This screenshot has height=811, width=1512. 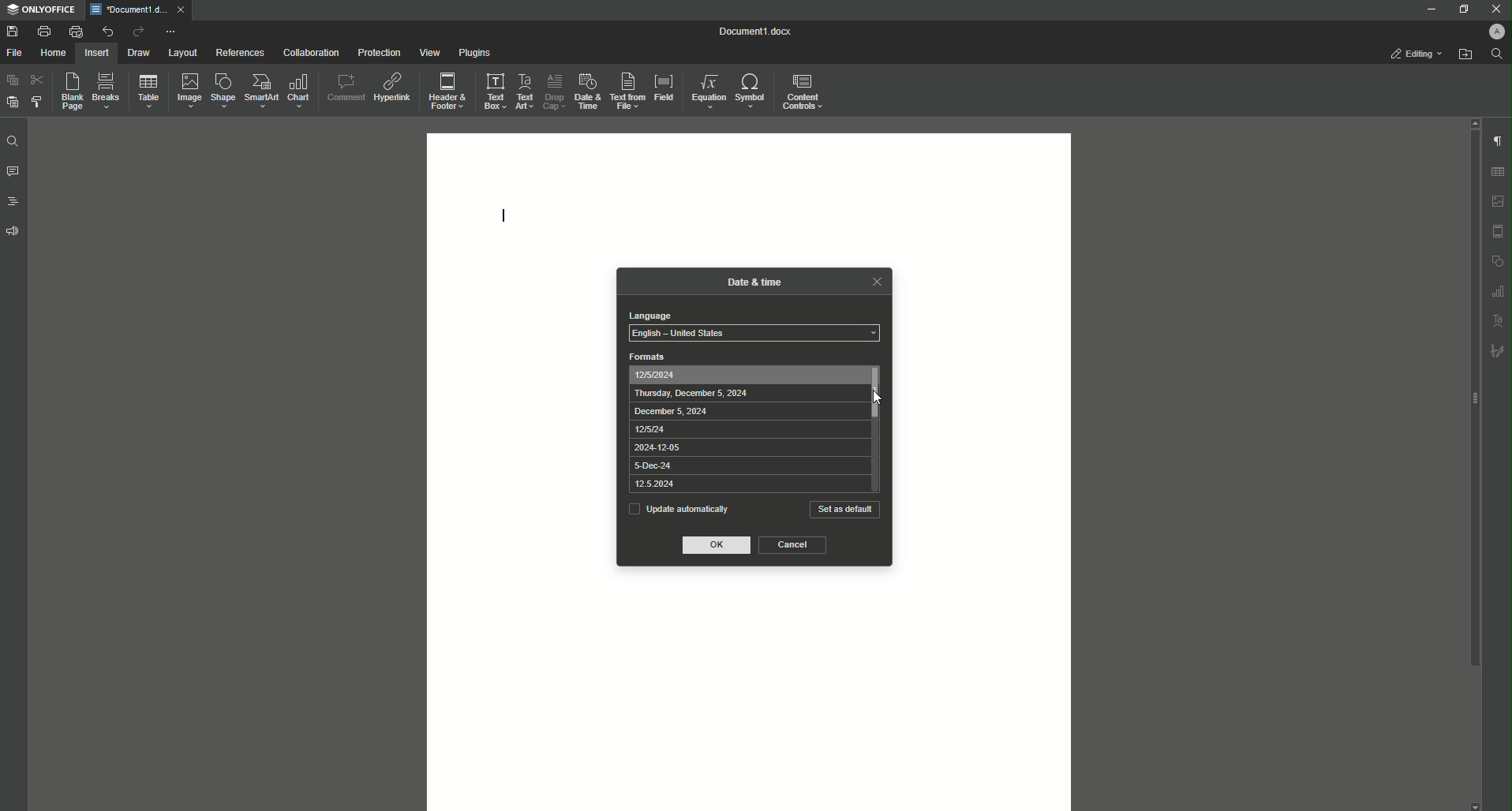 I want to click on Insert, so click(x=97, y=52).